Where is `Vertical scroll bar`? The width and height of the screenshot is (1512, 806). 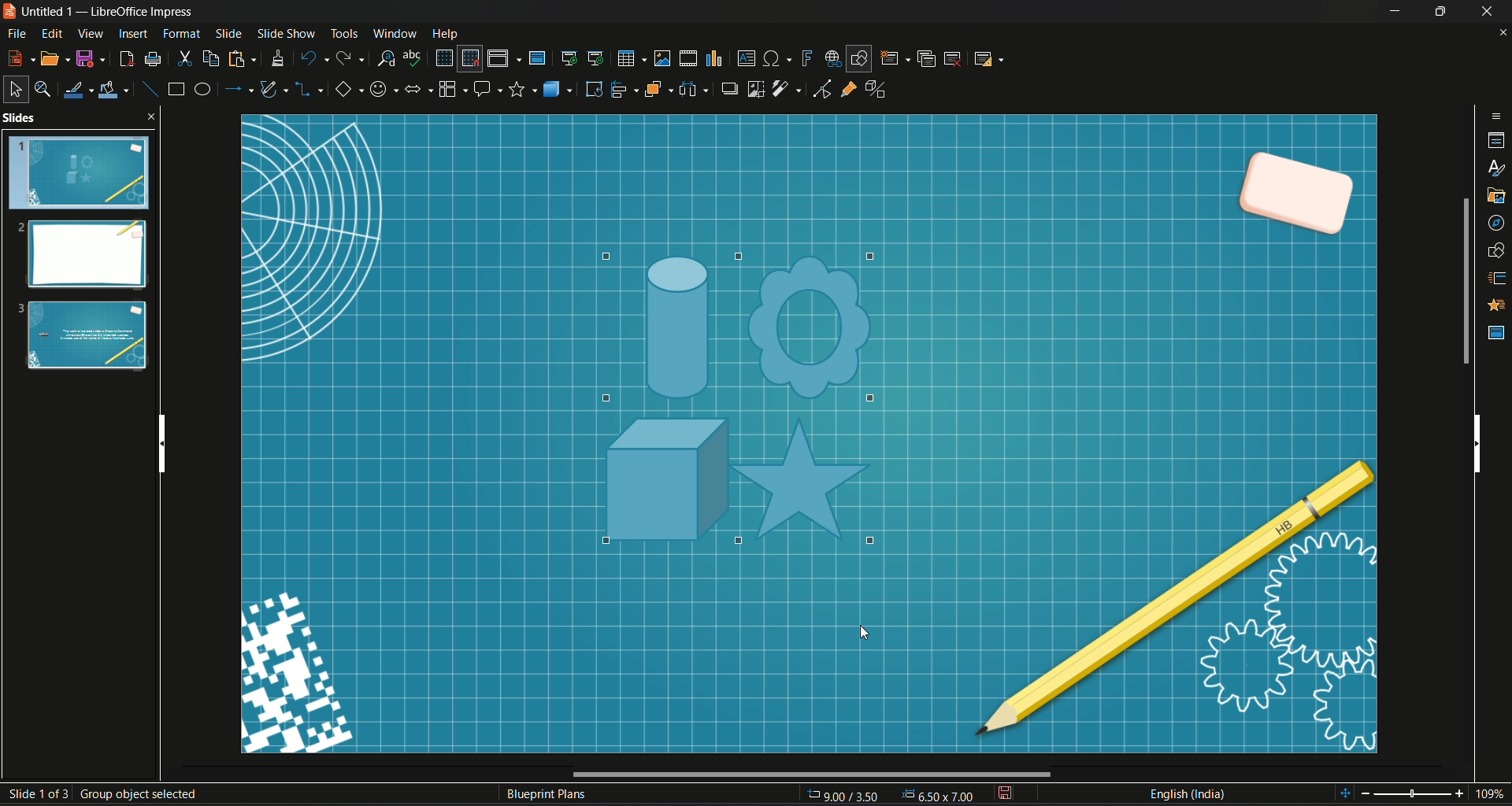
Vertical scroll bar is located at coordinates (160, 439).